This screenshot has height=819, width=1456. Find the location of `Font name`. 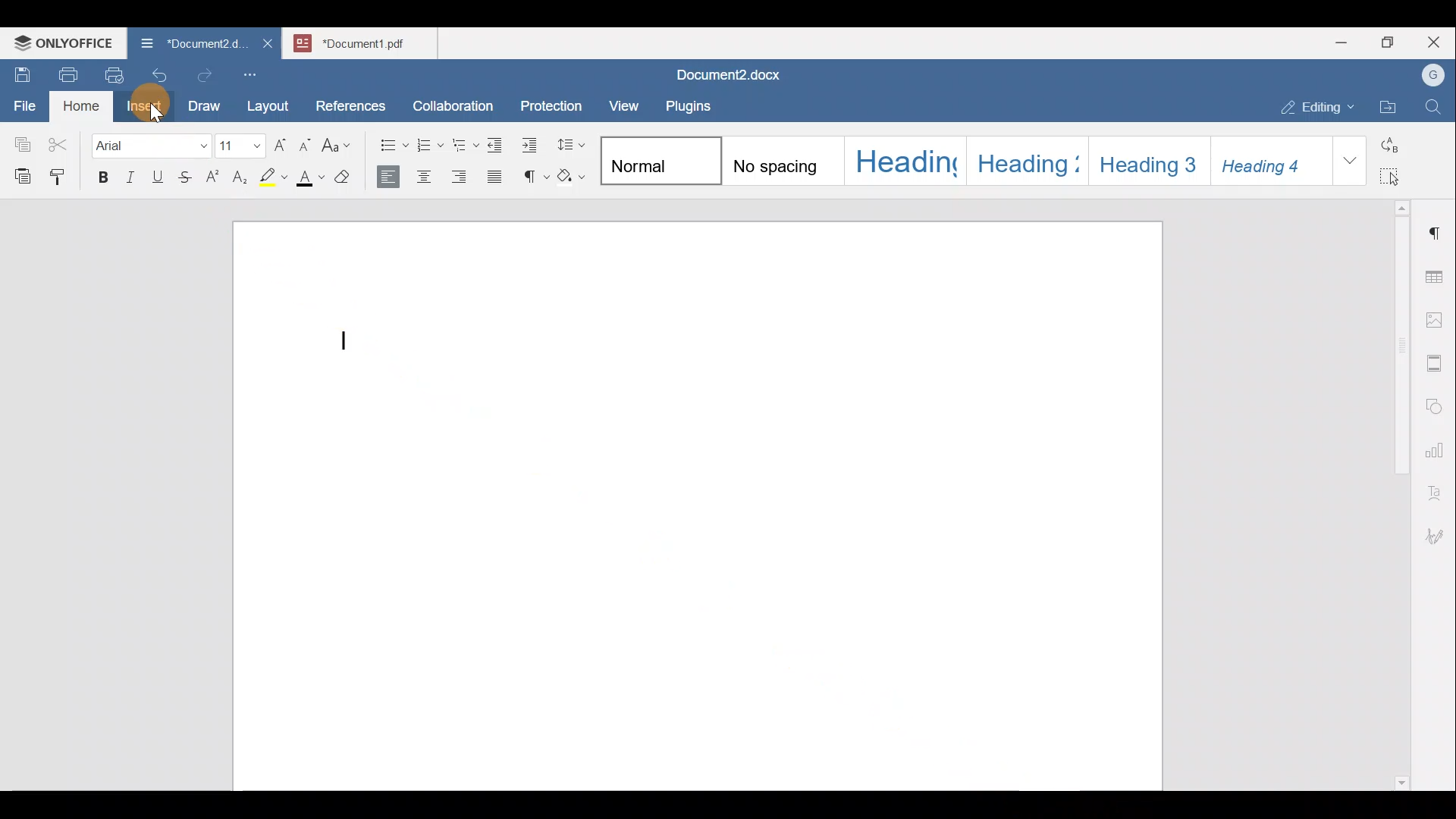

Font name is located at coordinates (153, 143).